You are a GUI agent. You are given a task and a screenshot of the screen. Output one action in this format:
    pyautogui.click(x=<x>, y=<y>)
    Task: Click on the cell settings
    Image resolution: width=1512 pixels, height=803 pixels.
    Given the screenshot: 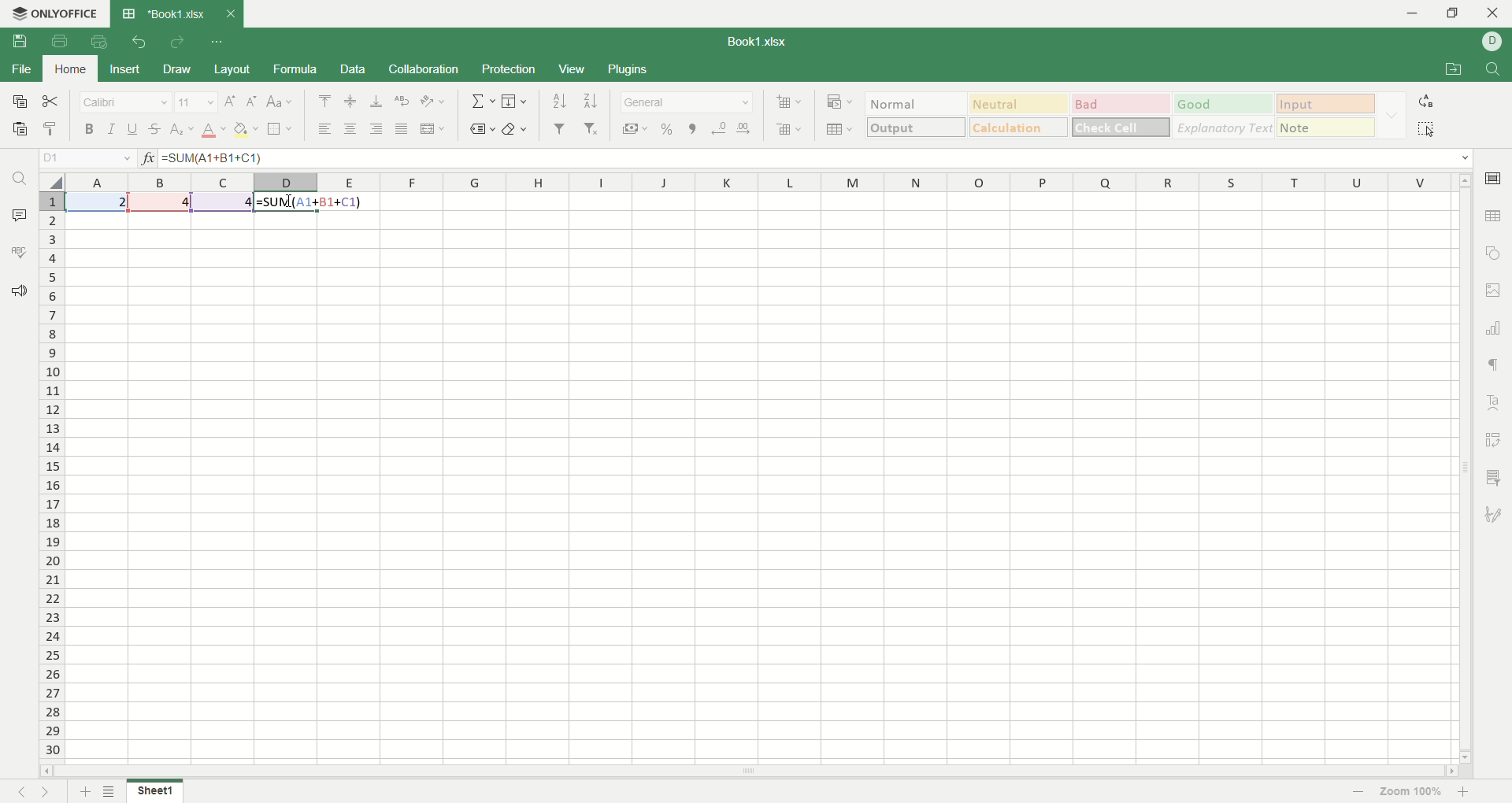 What is the action you would take?
    pyautogui.click(x=1491, y=179)
    